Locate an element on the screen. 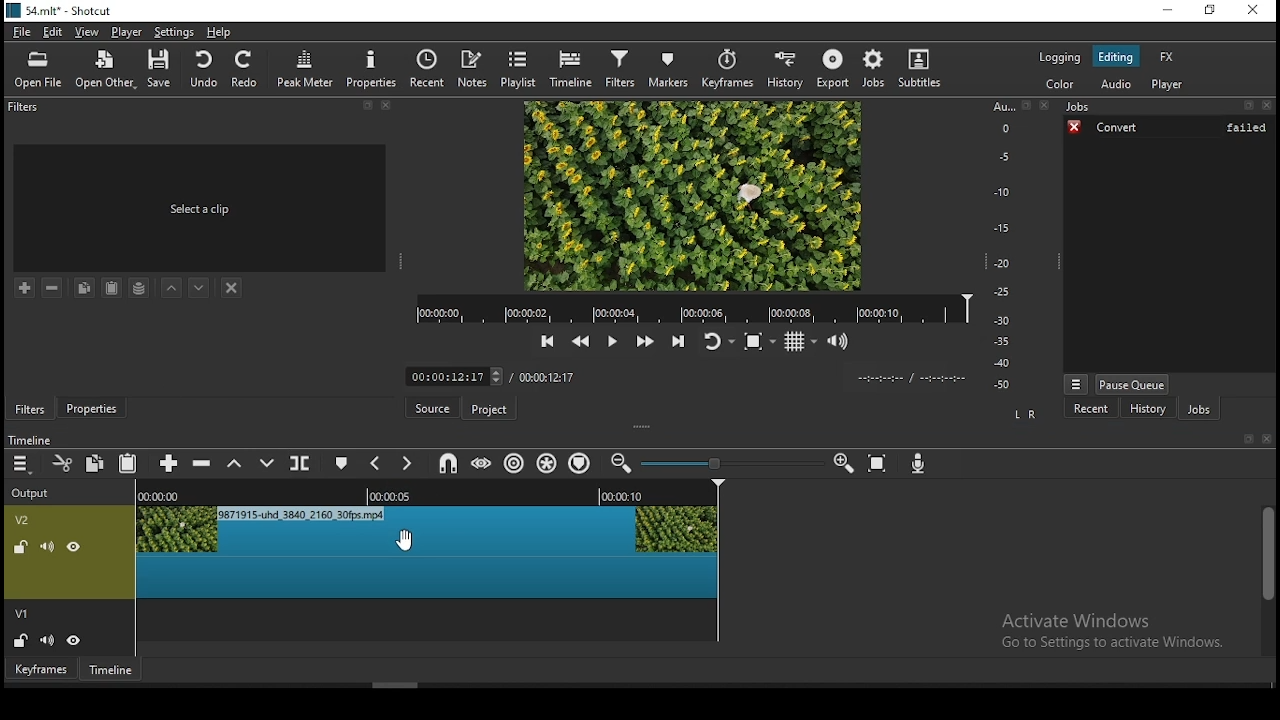 This screenshot has height=720, width=1280. timer is located at coordinates (911, 378).